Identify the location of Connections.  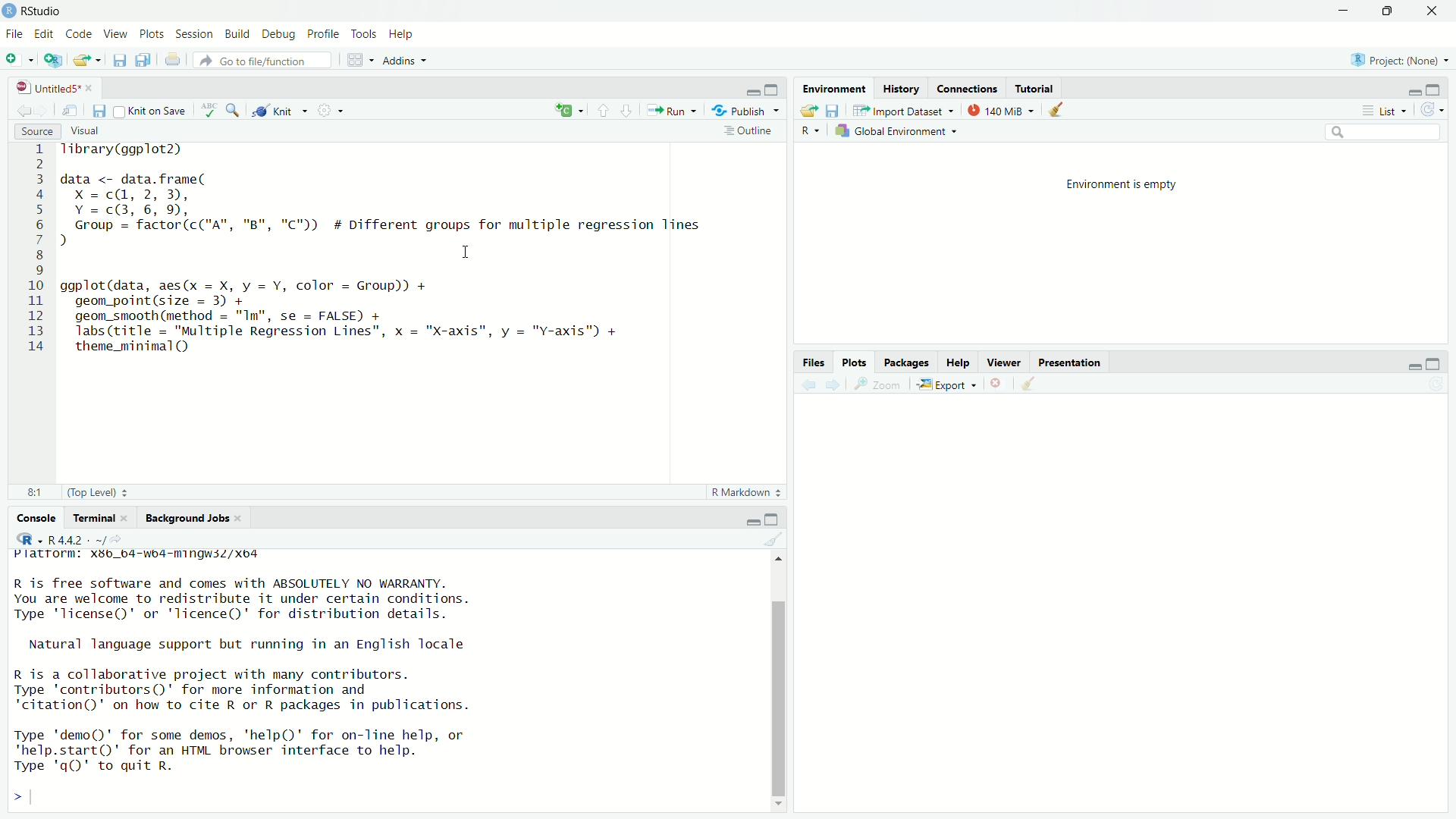
(968, 90).